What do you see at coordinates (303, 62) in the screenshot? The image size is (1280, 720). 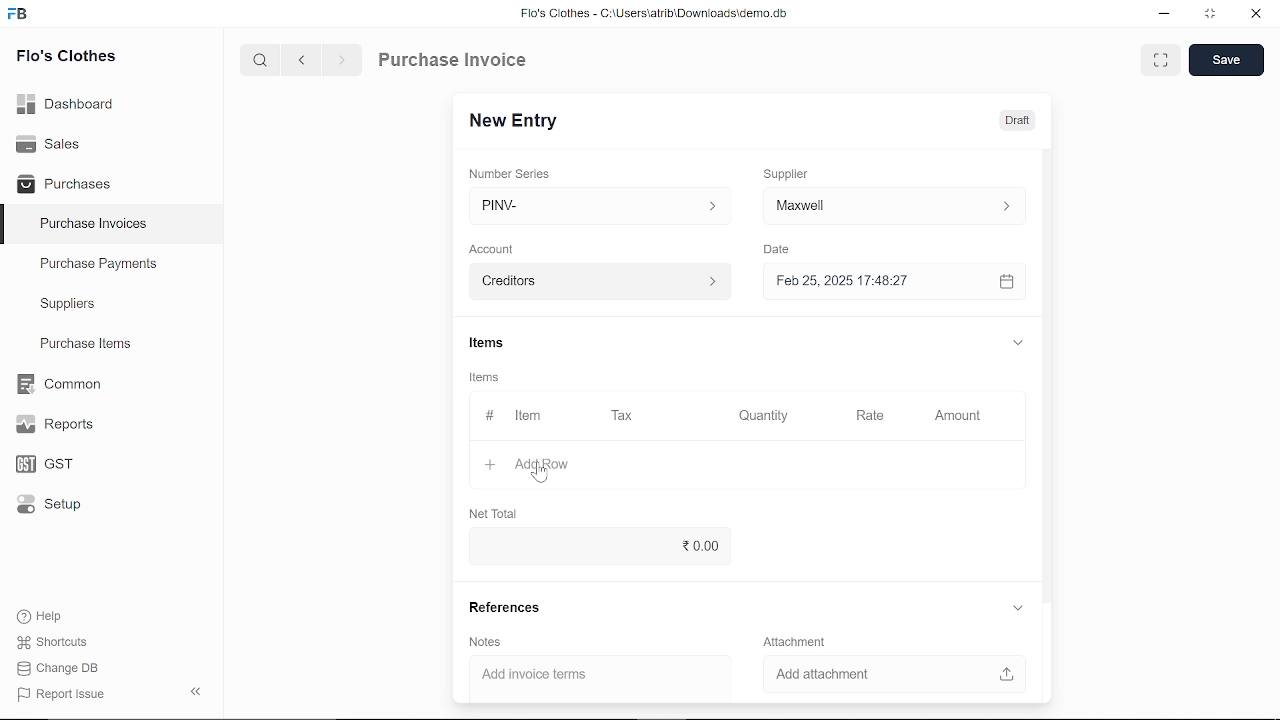 I see `previous` at bounding box center [303, 62].